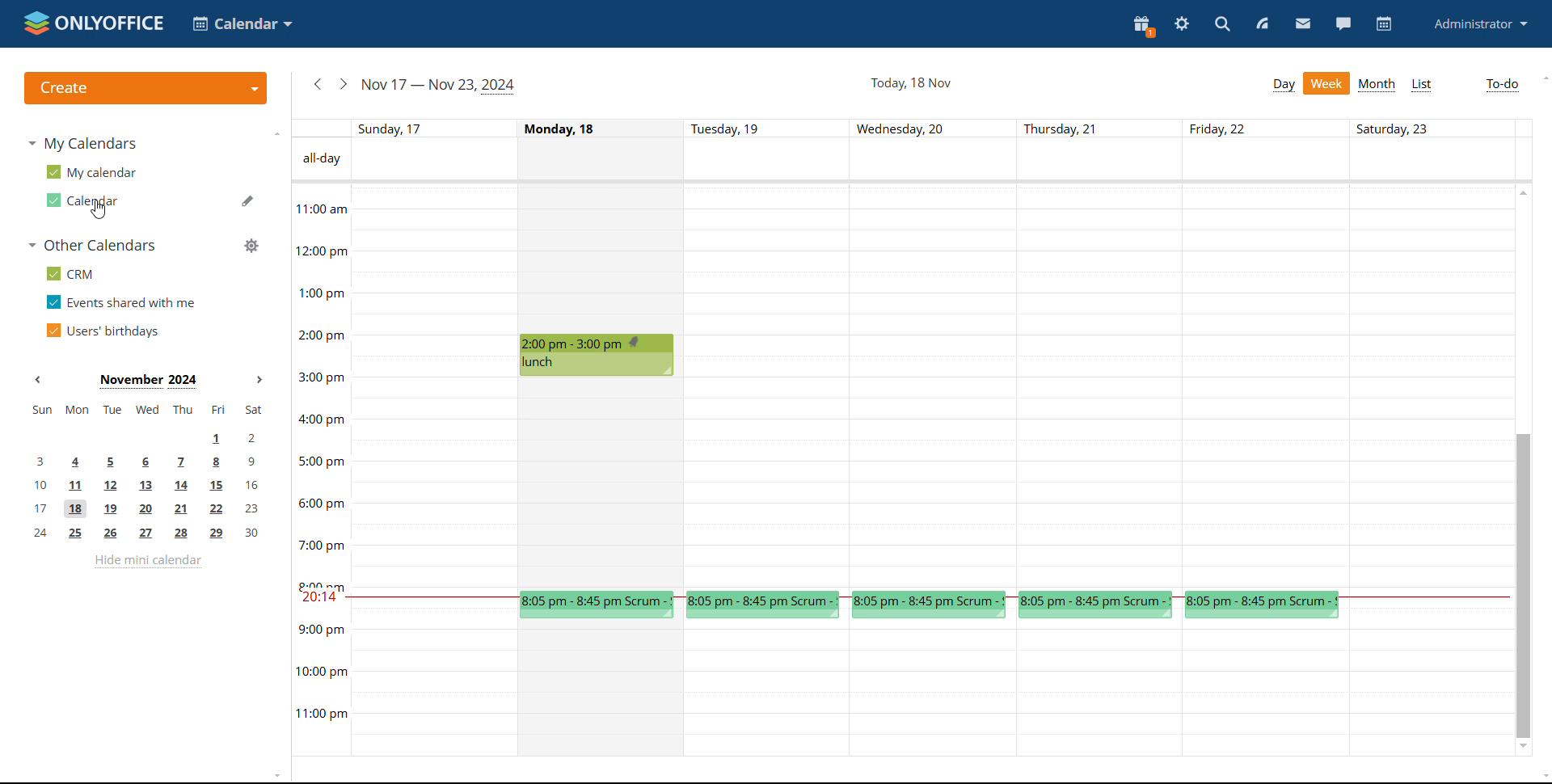 This screenshot has height=784, width=1552. I want to click on mail, so click(1302, 25).